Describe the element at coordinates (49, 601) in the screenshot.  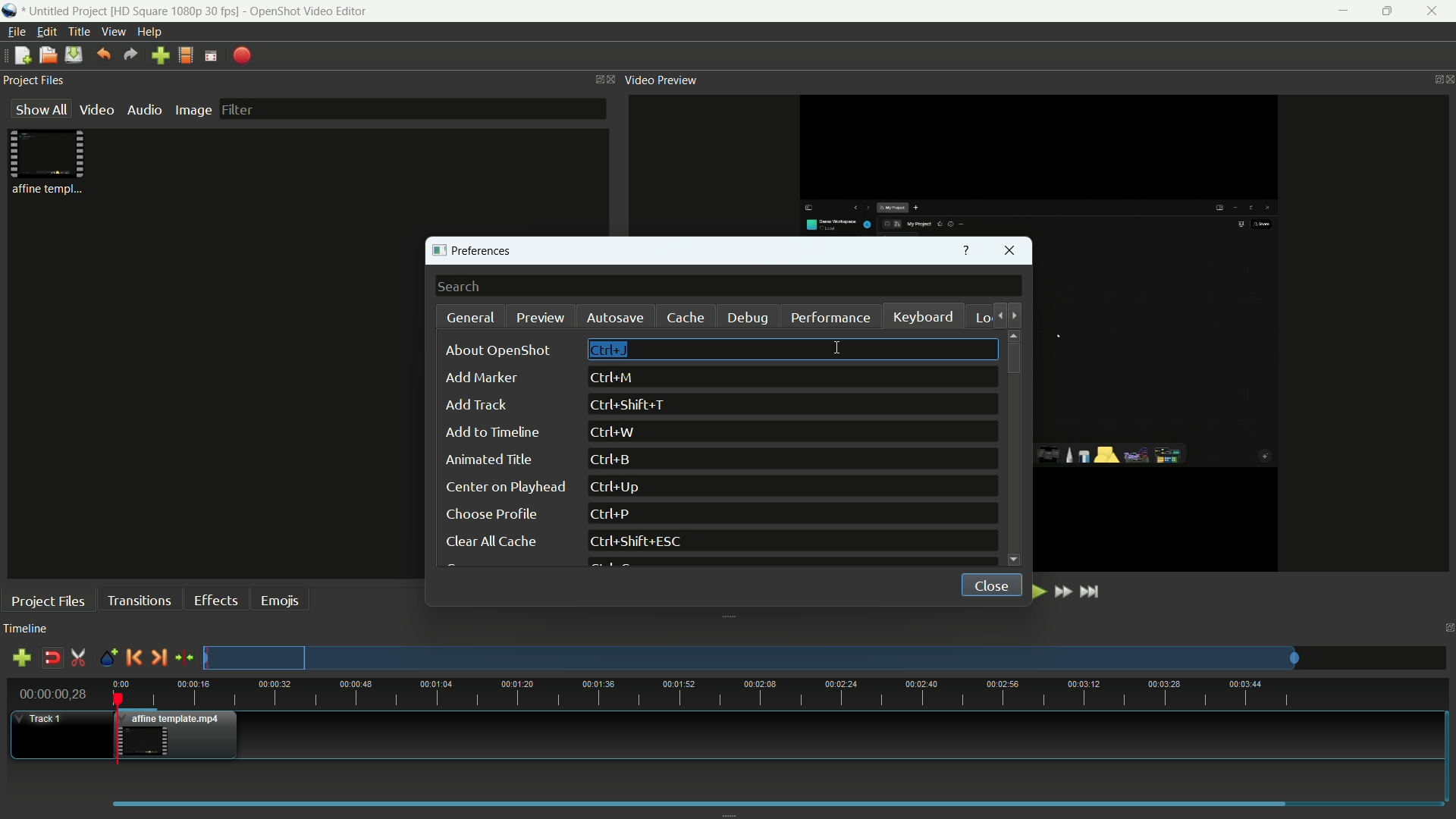
I see `project files` at that location.